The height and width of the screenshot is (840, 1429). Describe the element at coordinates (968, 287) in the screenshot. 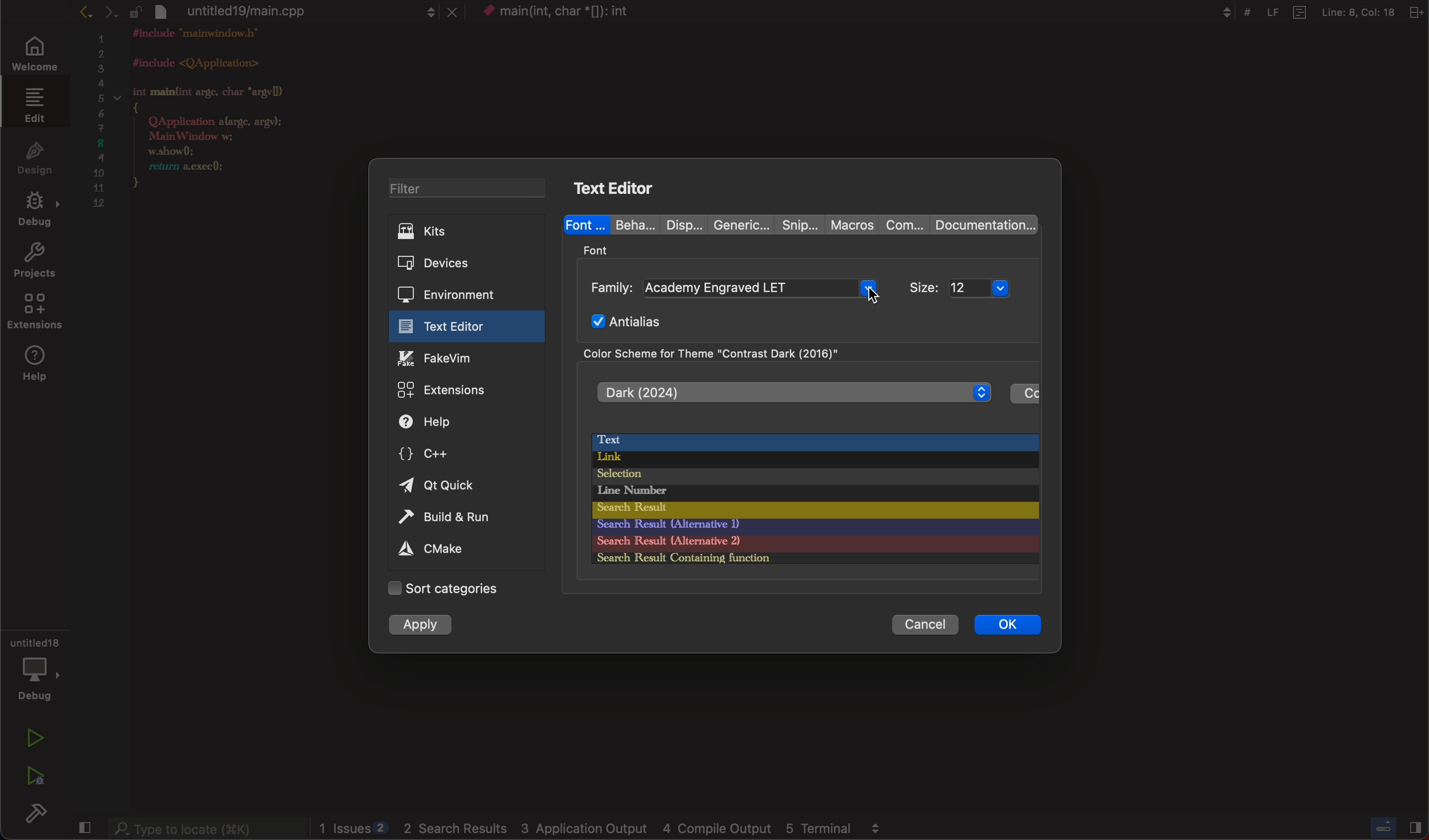

I see `size` at that location.